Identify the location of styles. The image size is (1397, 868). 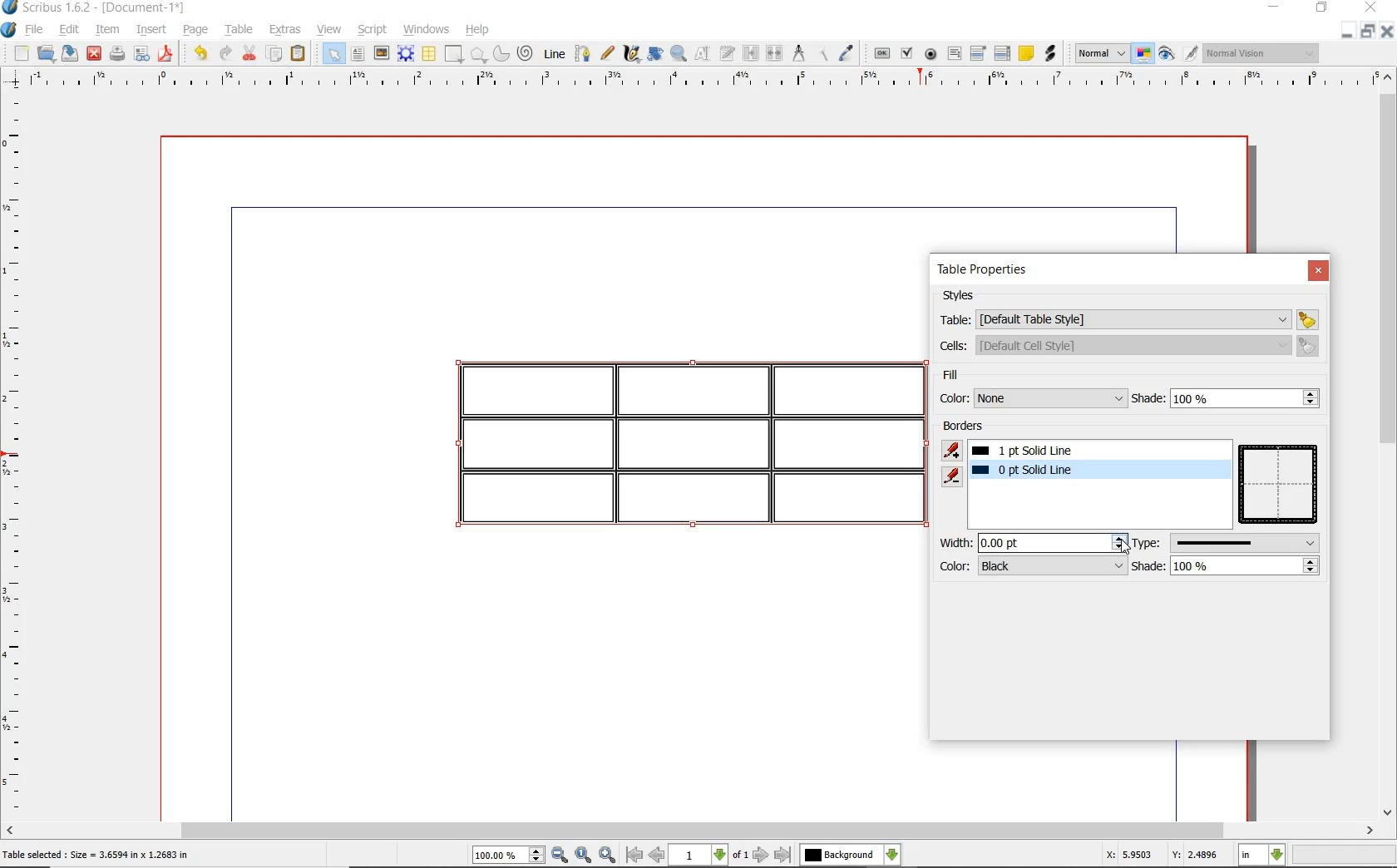
(964, 296).